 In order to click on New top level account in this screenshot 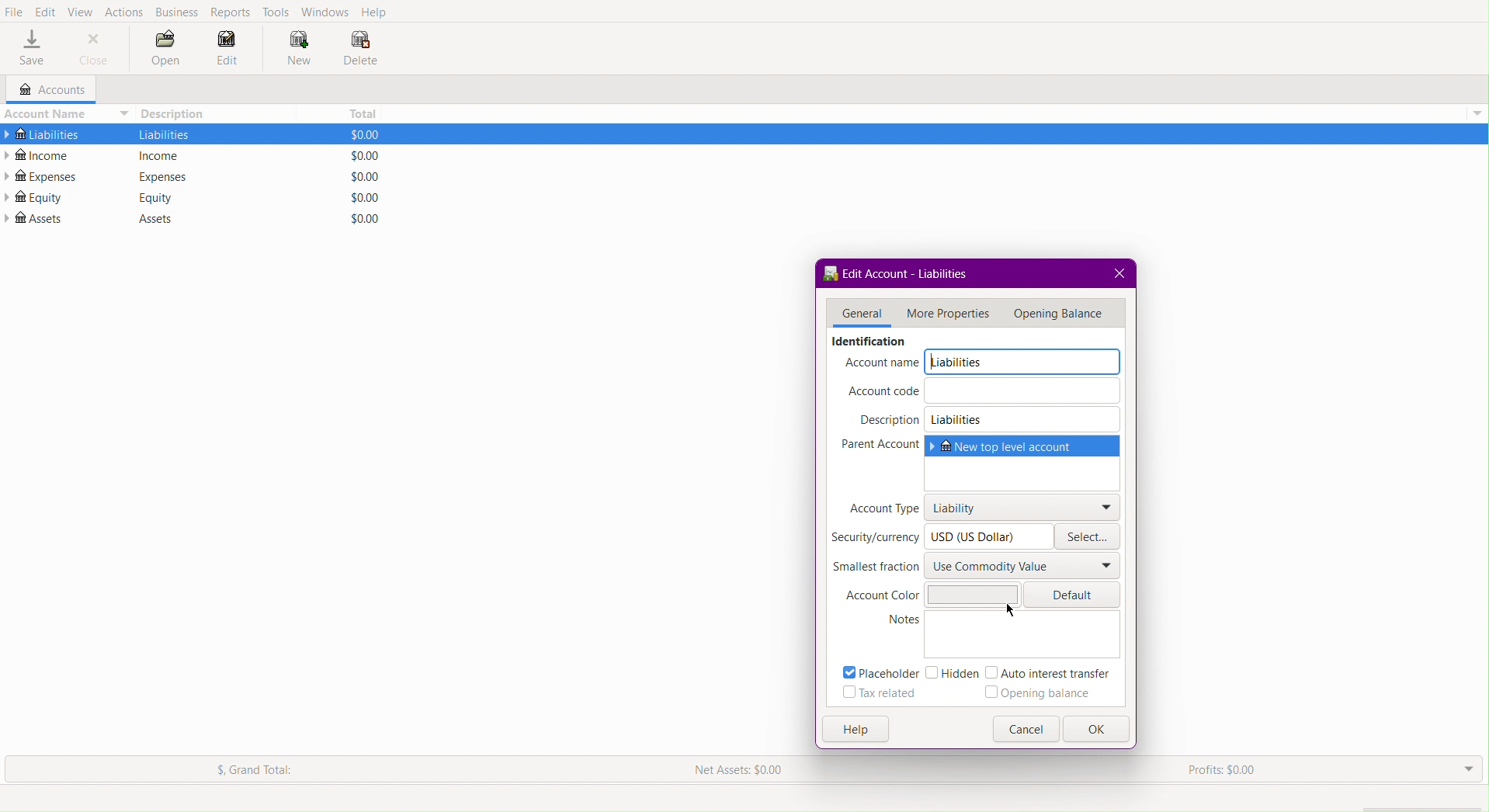, I will do `click(1022, 446)`.